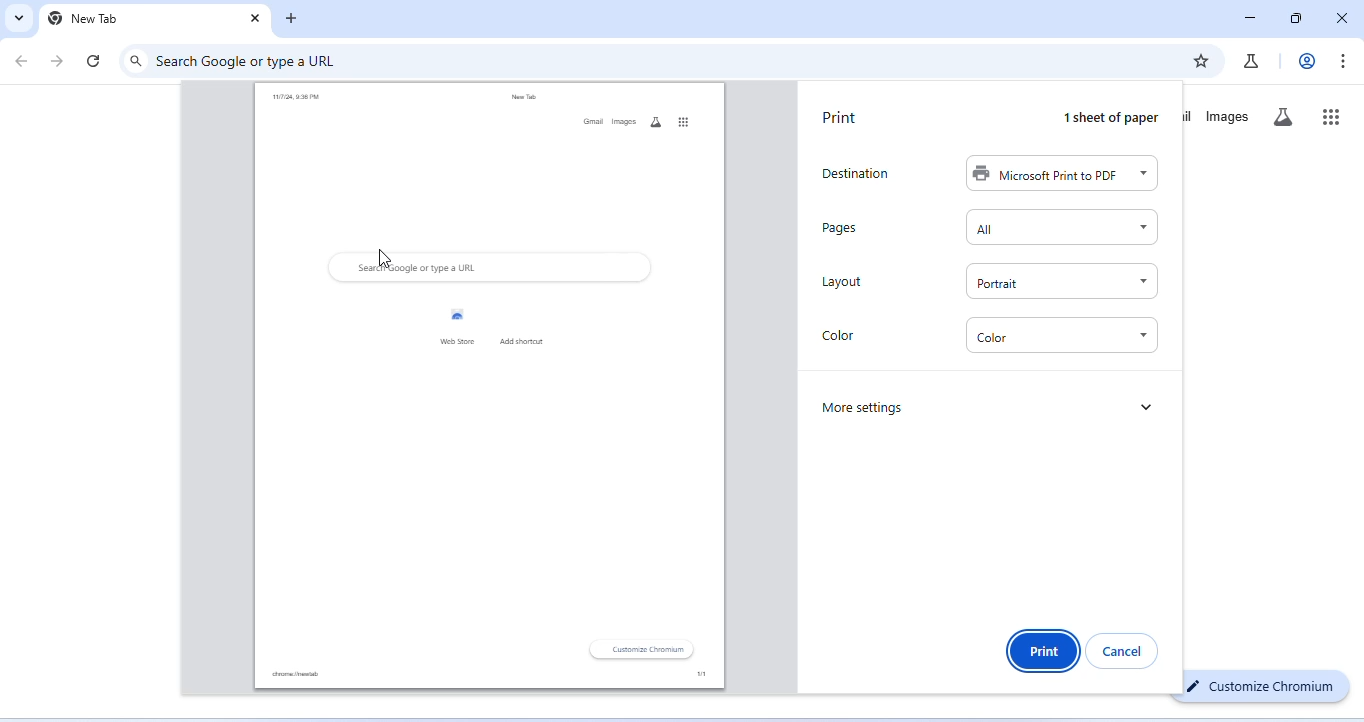 Image resolution: width=1364 pixels, height=722 pixels. What do you see at coordinates (1123, 651) in the screenshot?
I see `cancel` at bounding box center [1123, 651].